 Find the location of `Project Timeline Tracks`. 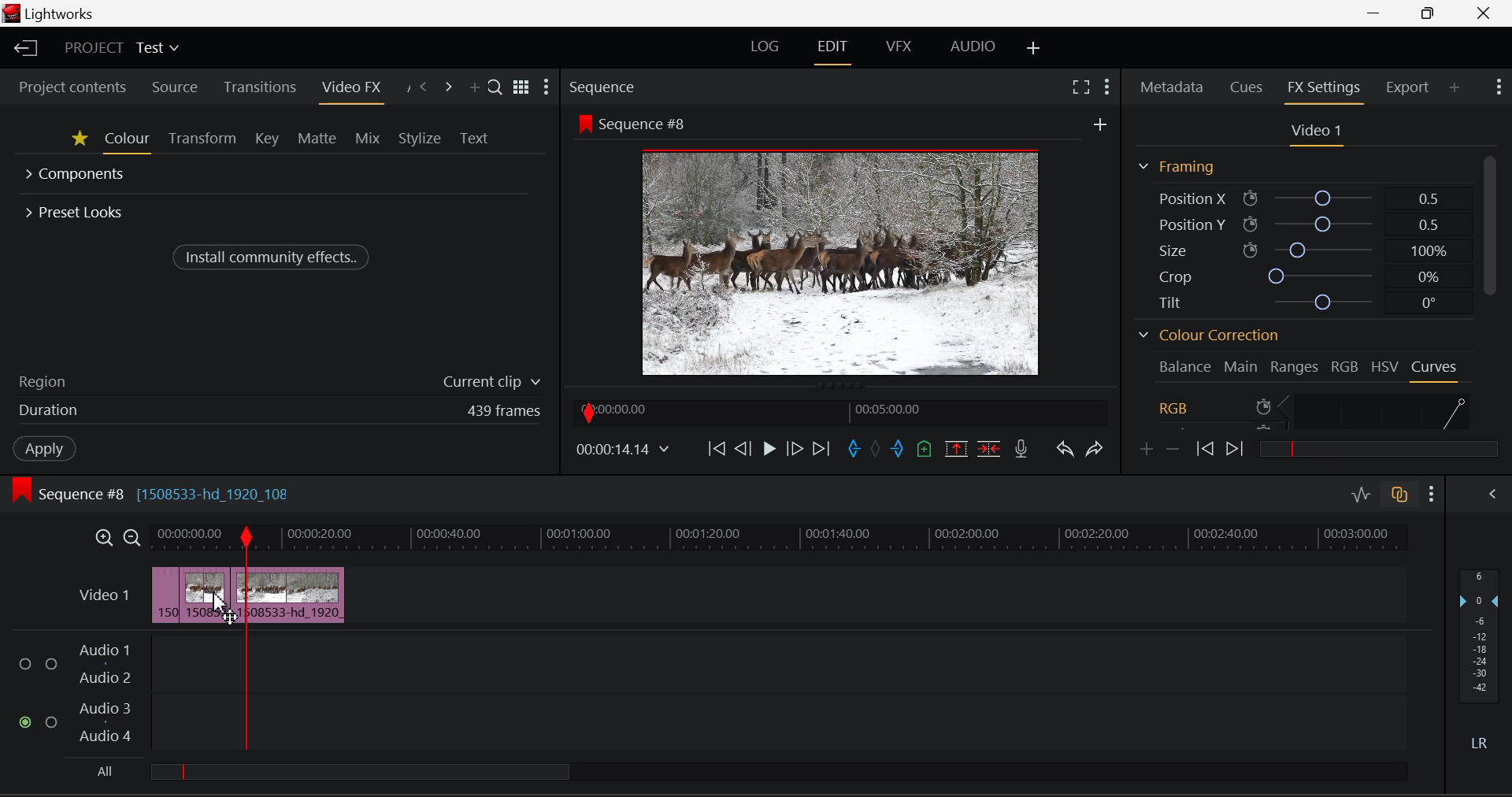

Project Timeline Tracks is located at coordinates (780, 539).